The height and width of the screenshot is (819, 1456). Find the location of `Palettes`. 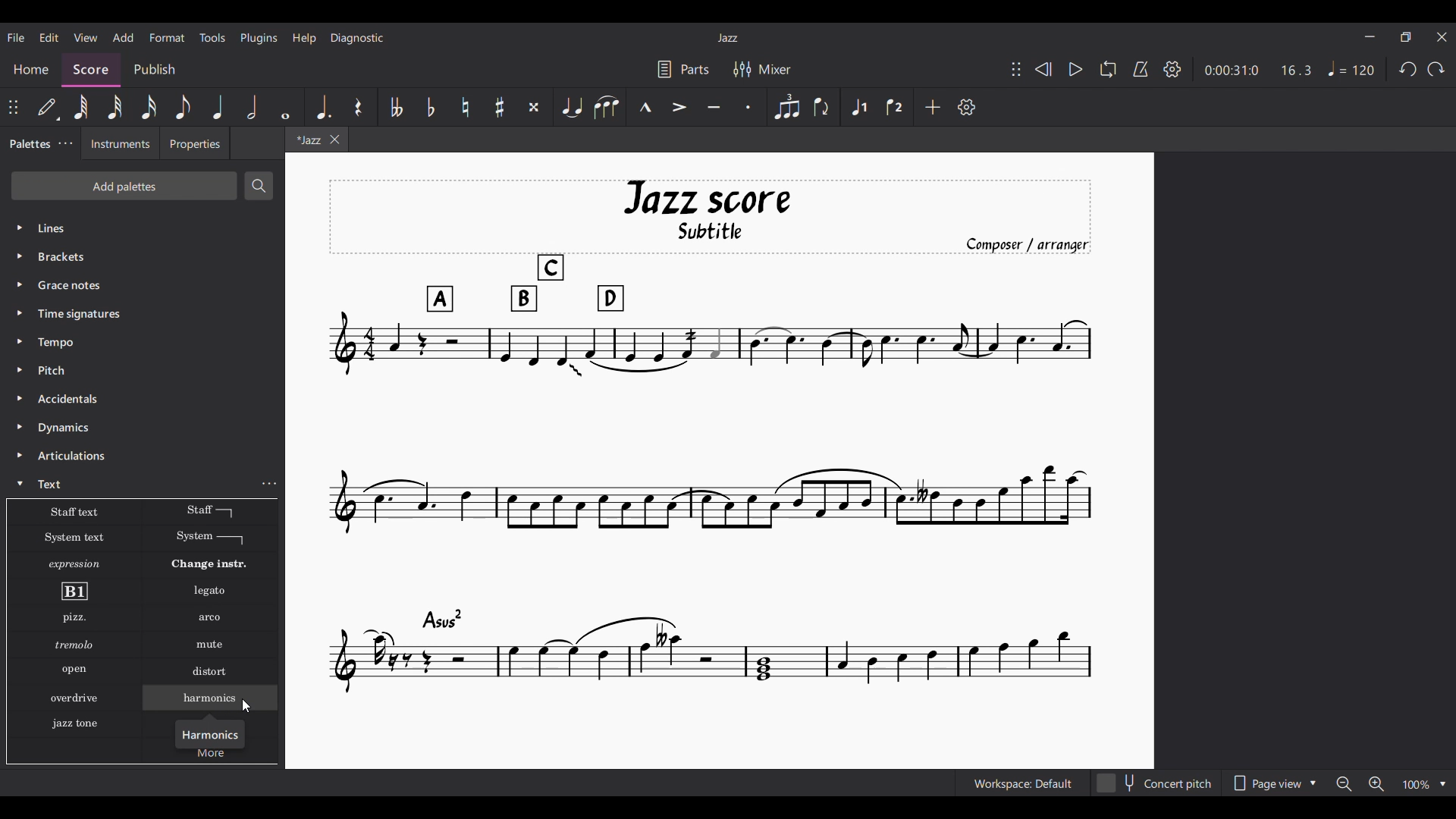

Palettes is located at coordinates (28, 146).